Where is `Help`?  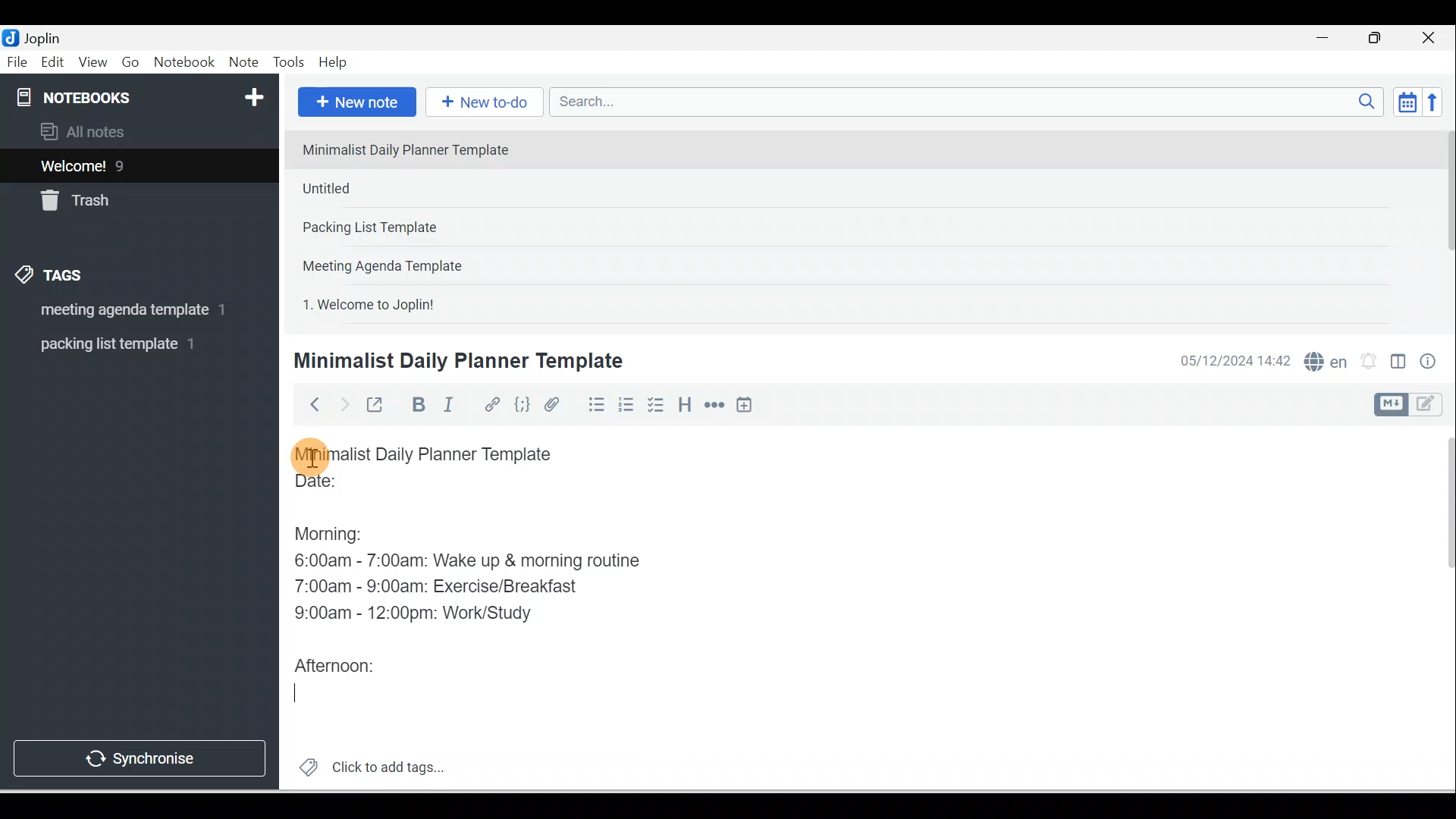
Help is located at coordinates (334, 63).